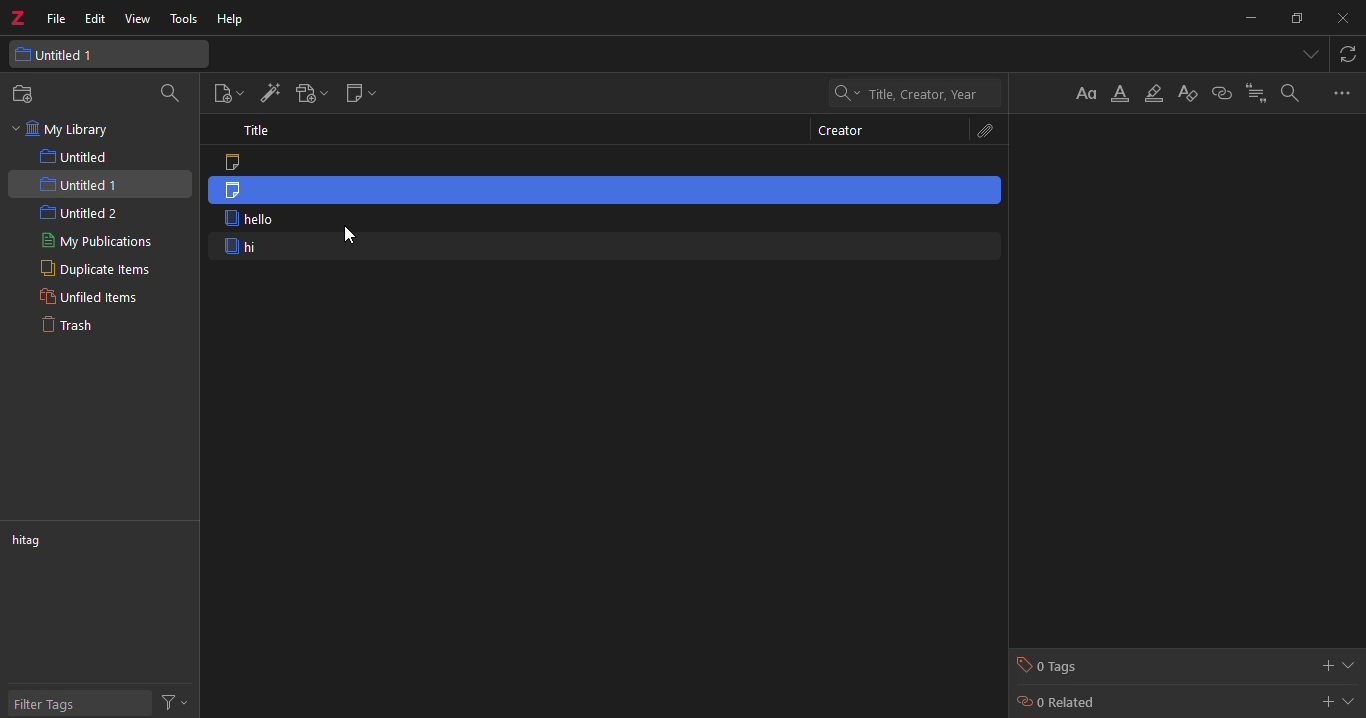 The image size is (1366, 718). What do you see at coordinates (186, 19) in the screenshot?
I see `tools` at bounding box center [186, 19].